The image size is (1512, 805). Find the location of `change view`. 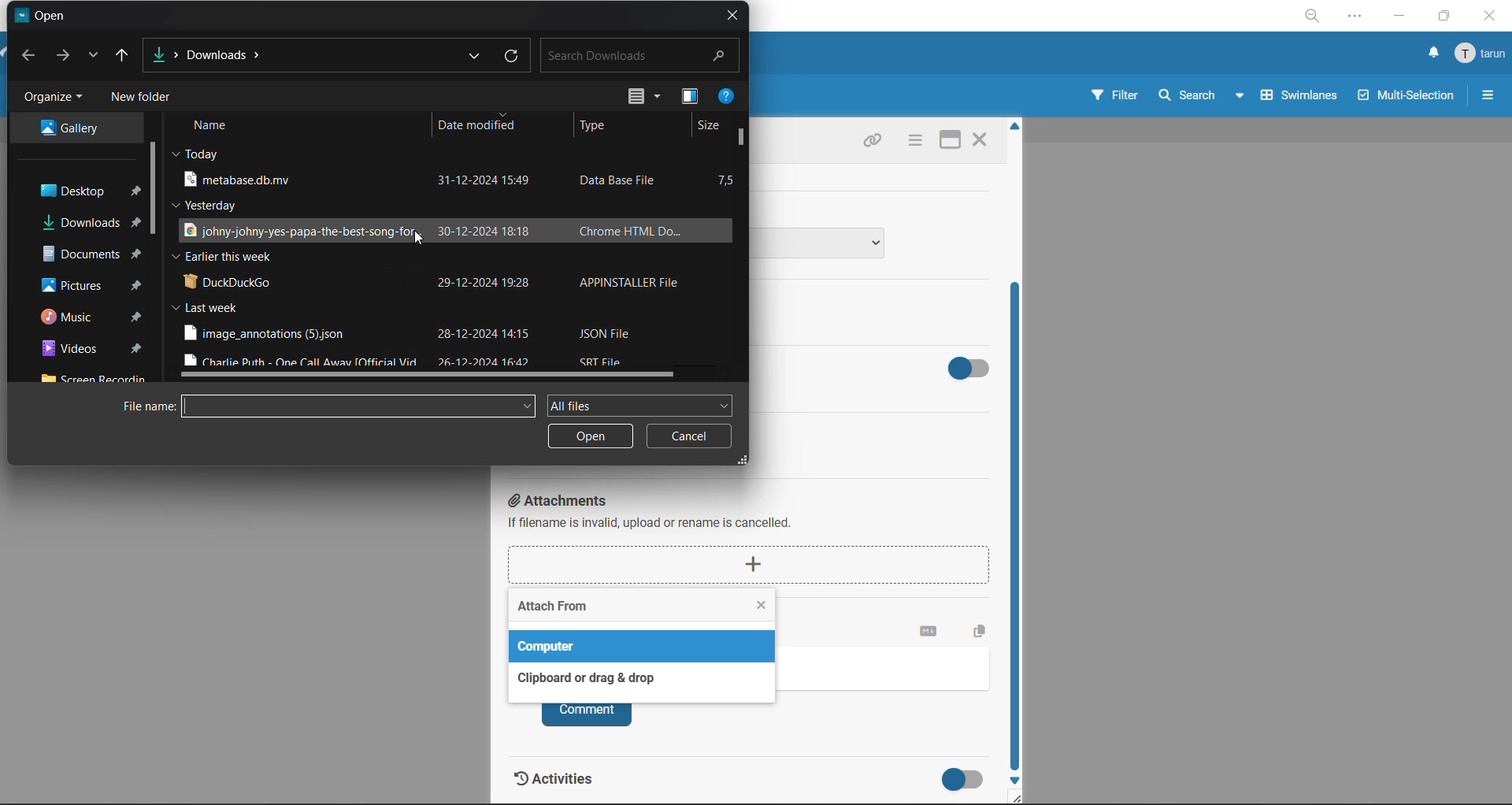

change view is located at coordinates (641, 98).